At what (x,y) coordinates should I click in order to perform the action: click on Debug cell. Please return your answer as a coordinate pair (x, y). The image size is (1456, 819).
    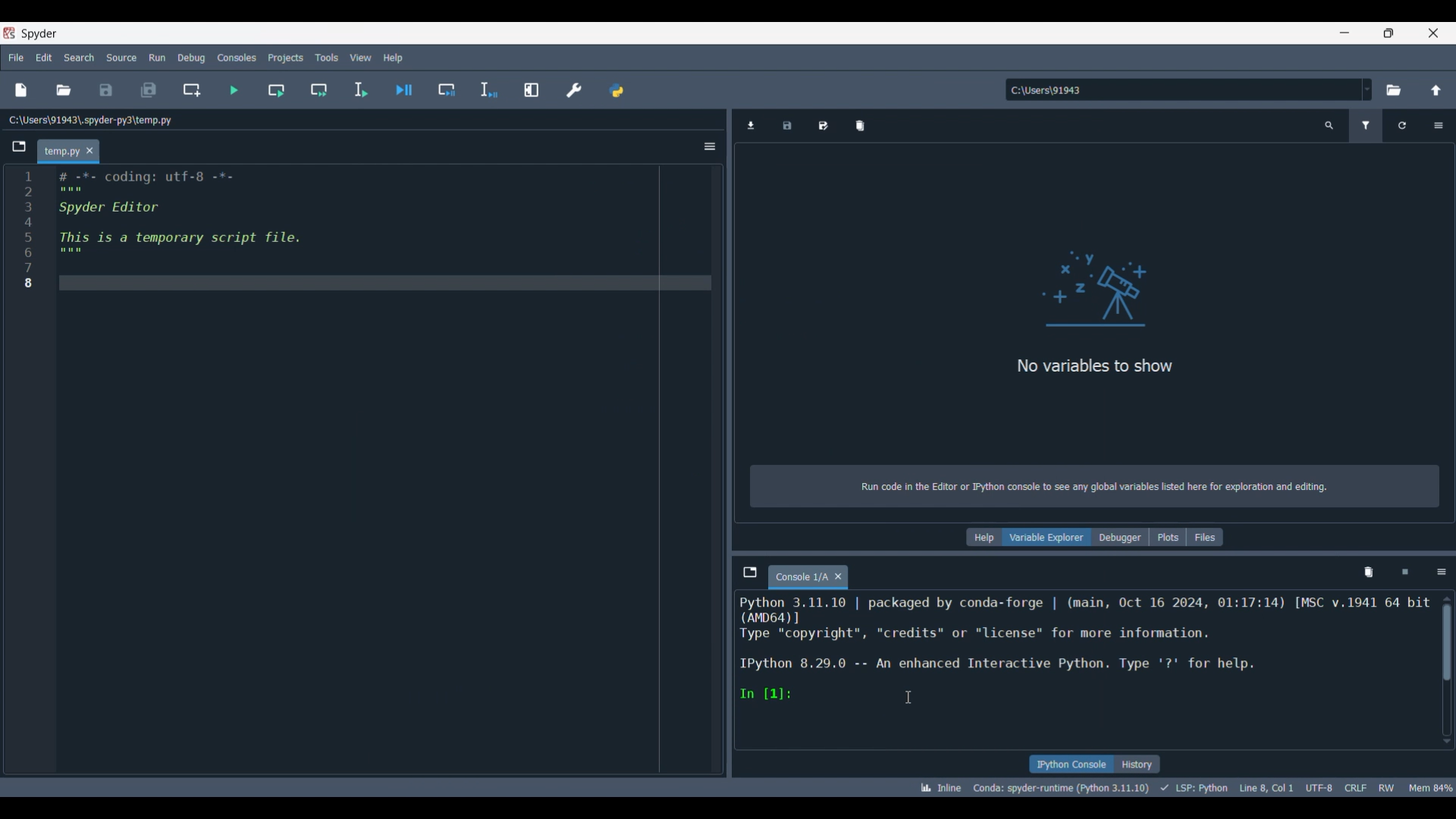
    Looking at the image, I should click on (447, 90).